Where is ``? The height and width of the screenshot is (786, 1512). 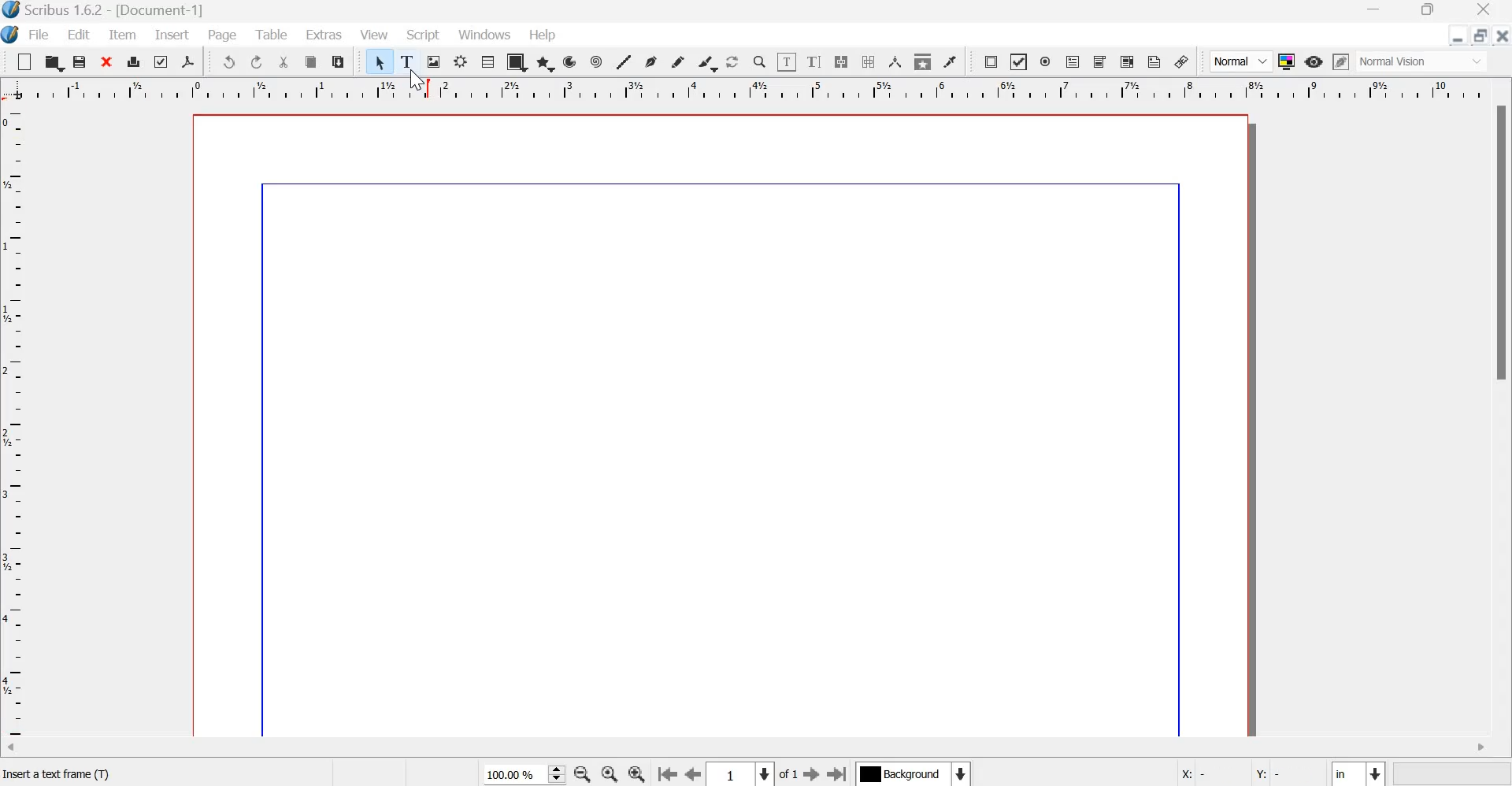  is located at coordinates (759, 61).